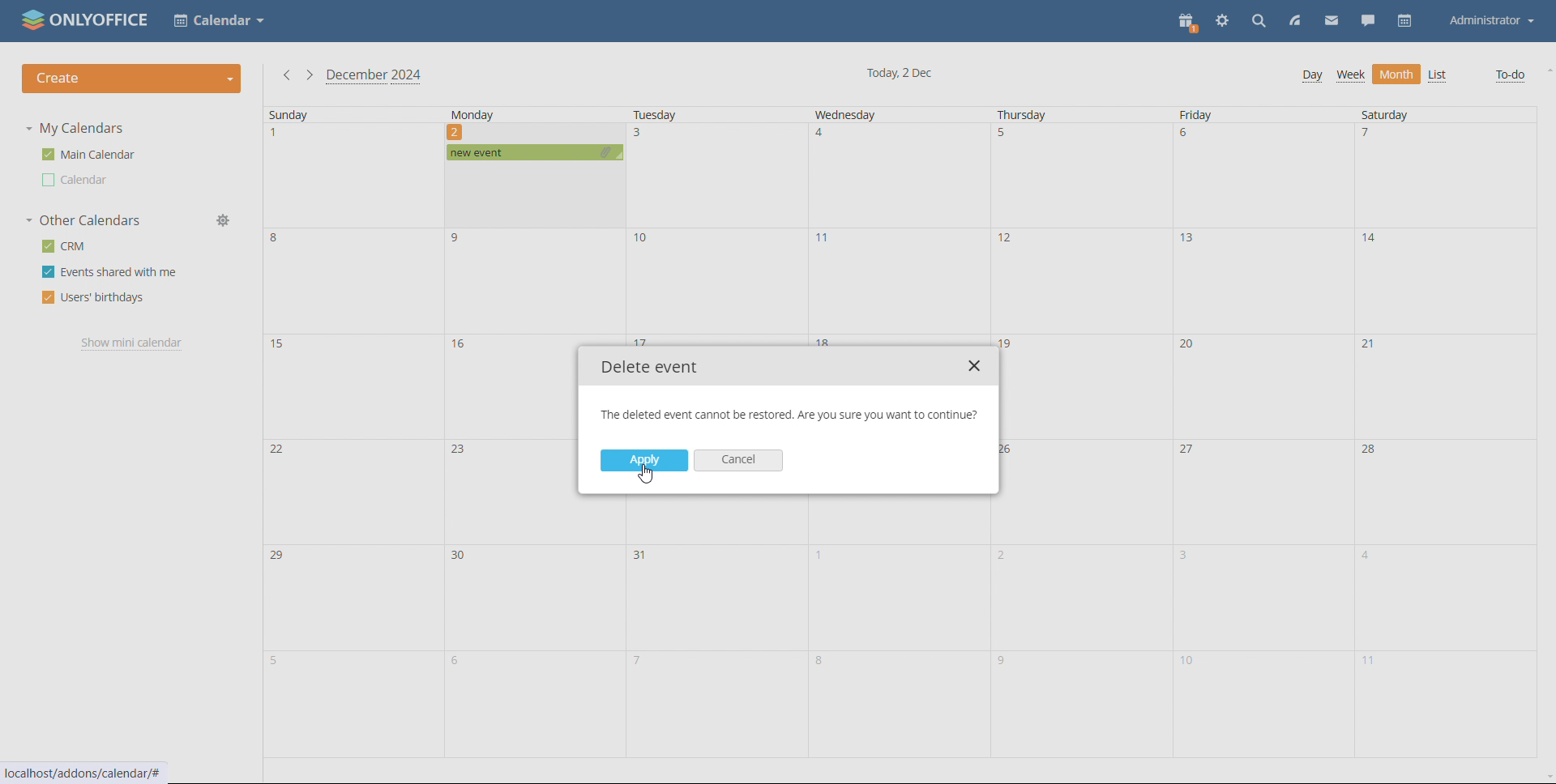 The height and width of the screenshot is (784, 1556). Describe the element at coordinates (276, 450) in the screenshot. I see `22` at that location.